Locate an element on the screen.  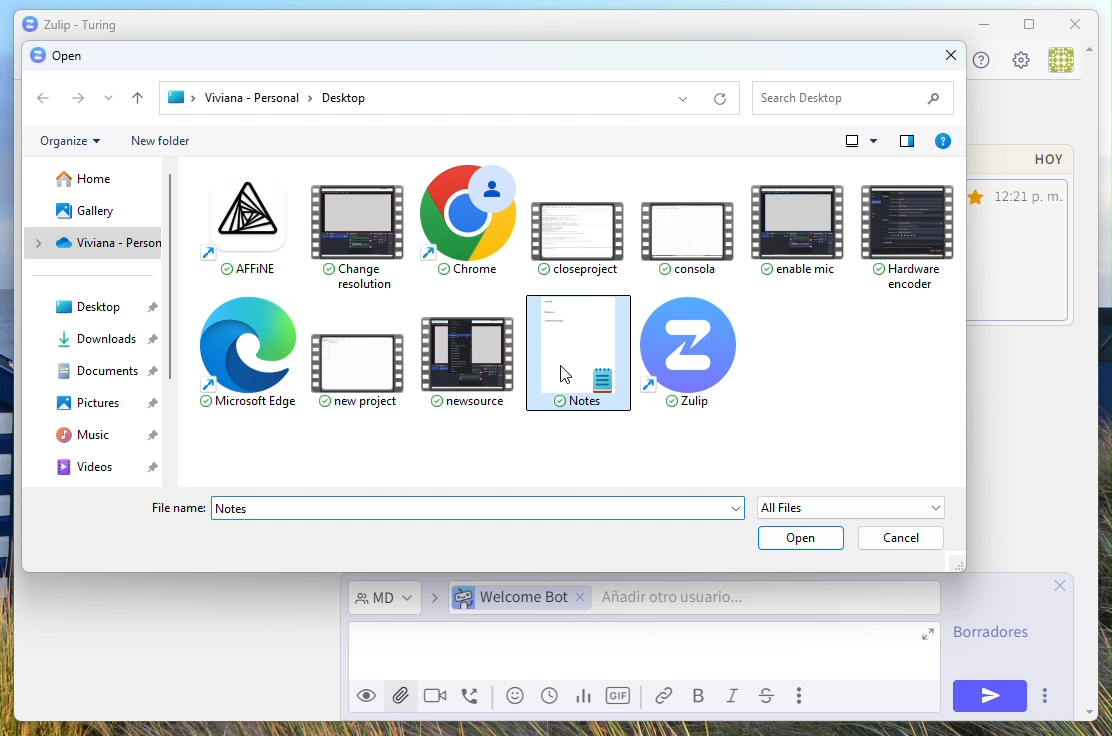
affine is located at coordinates (237, 228).